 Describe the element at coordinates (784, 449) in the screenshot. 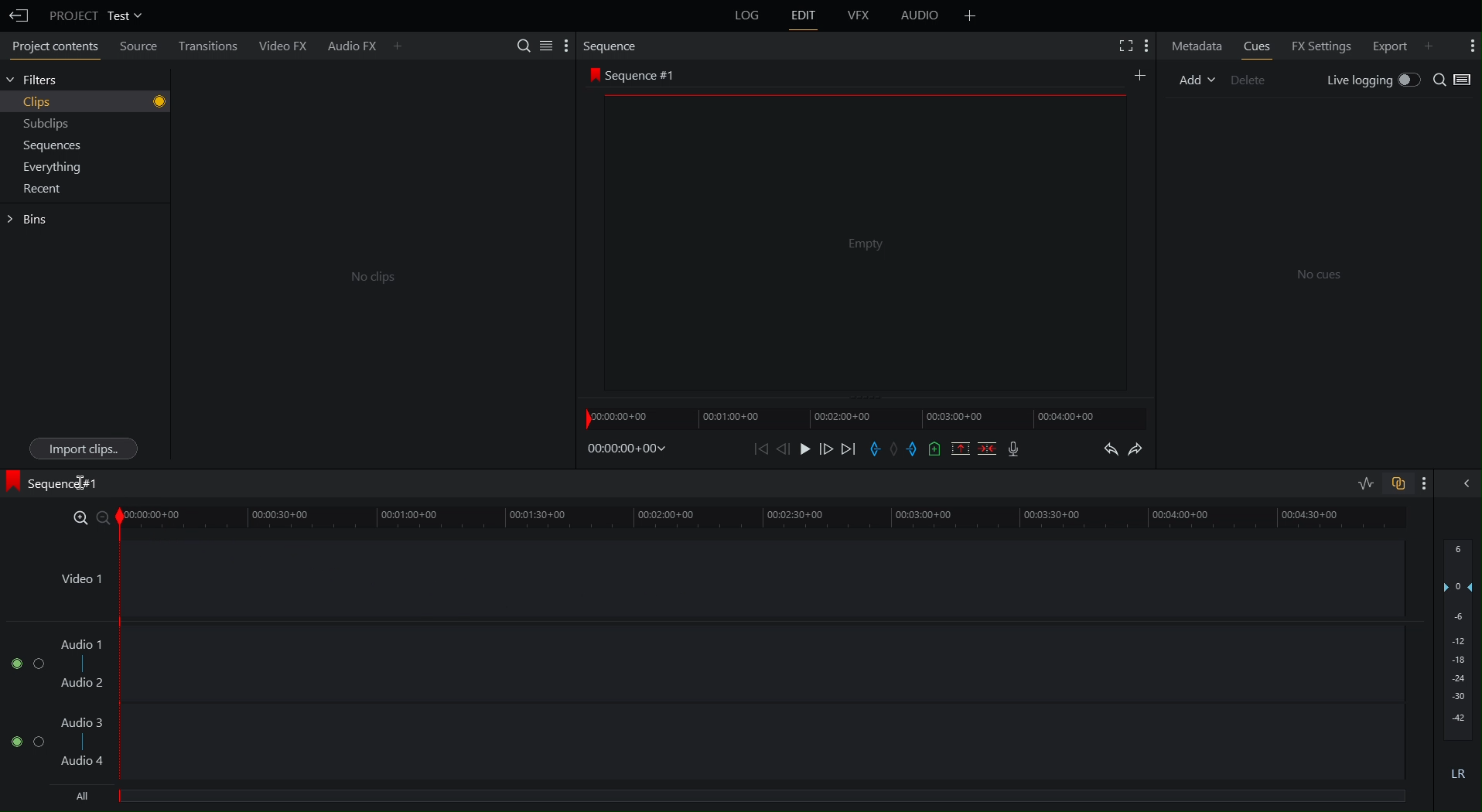

I see `Move Back` at that location.